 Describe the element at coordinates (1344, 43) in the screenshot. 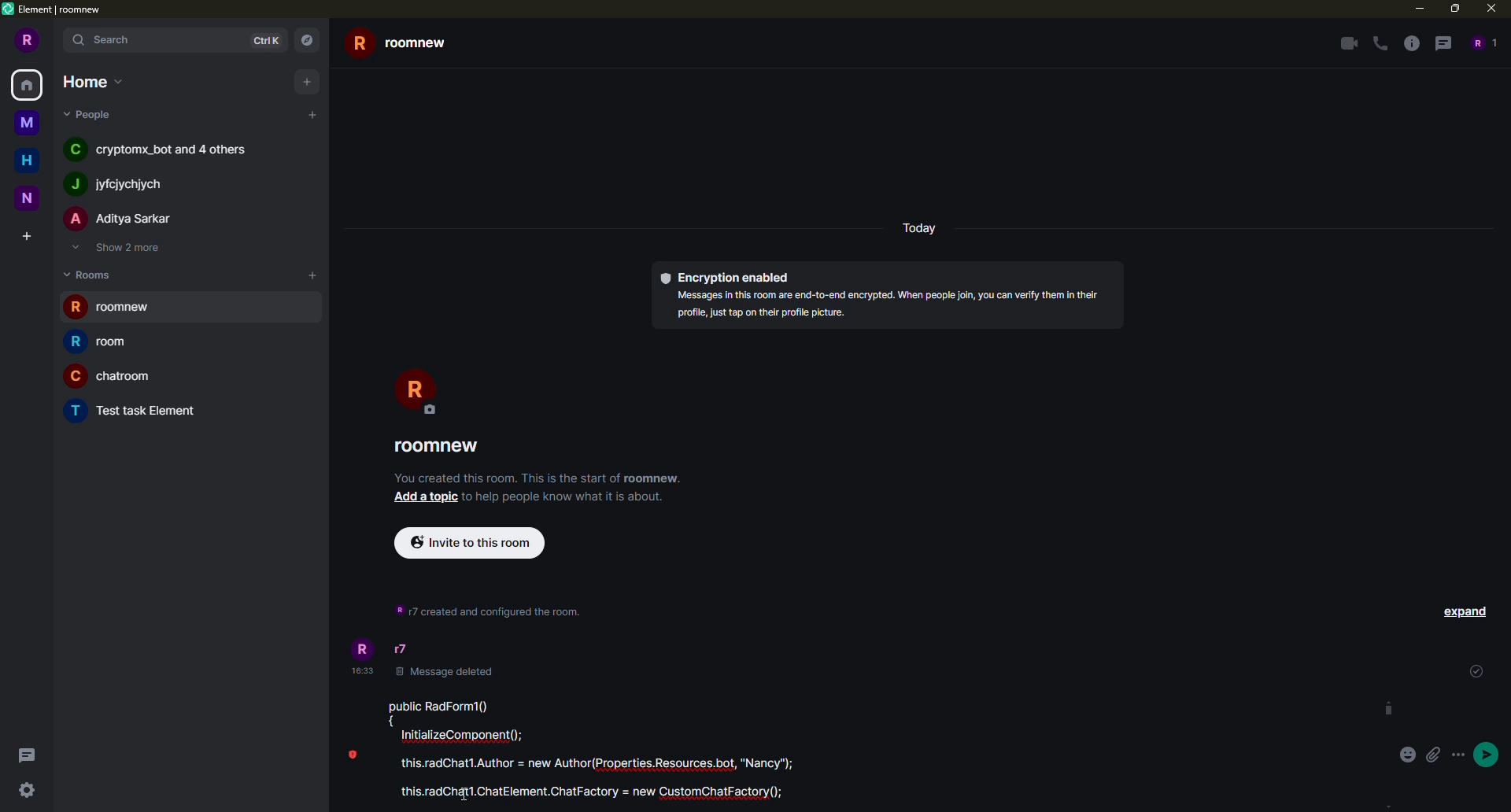

I see `video call` at that location.